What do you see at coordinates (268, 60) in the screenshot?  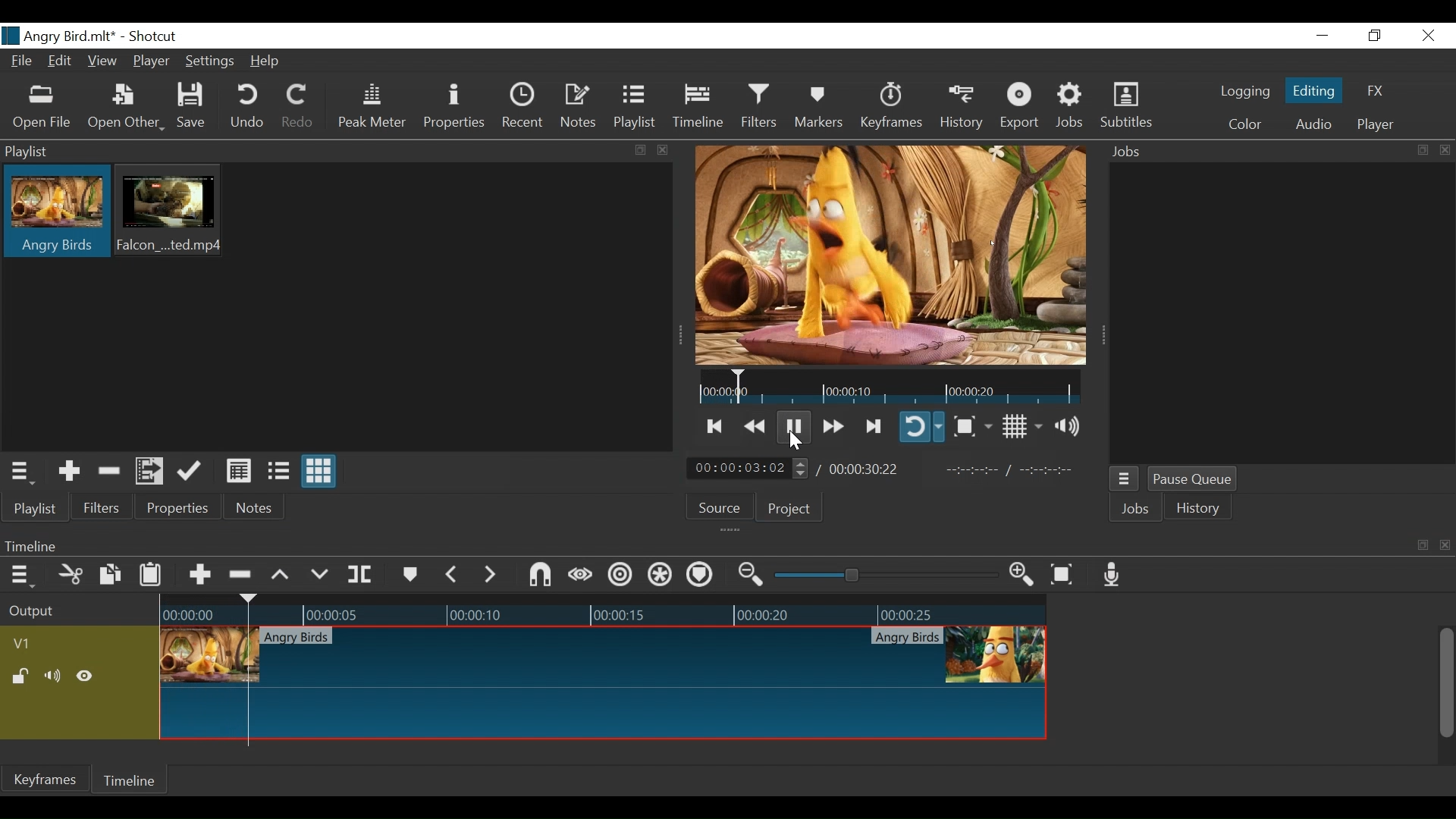 I see `Help` at bounding box center [268, 60].